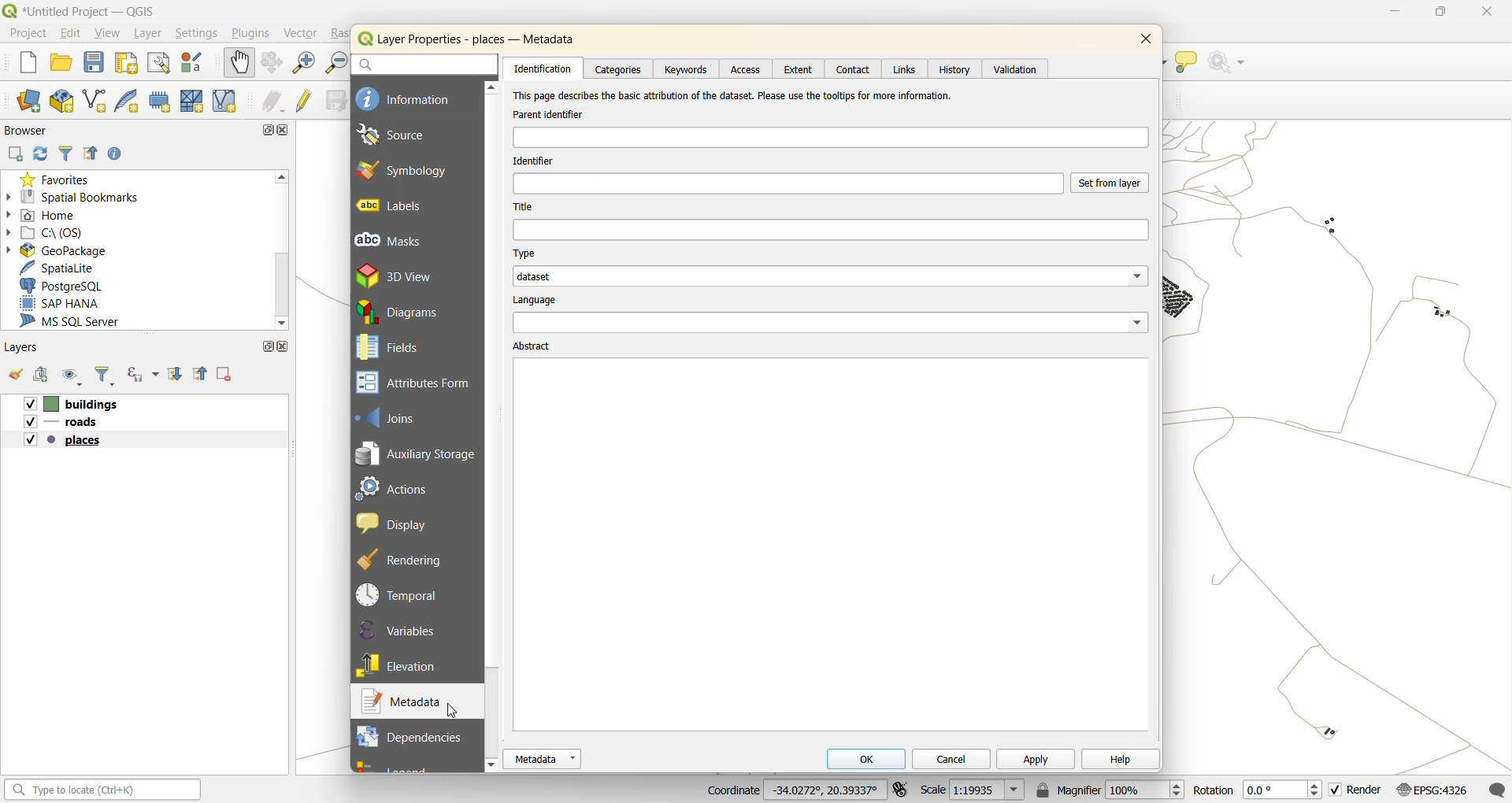 The image size is (1512, 803). I want to click on access, so click(748, 69).